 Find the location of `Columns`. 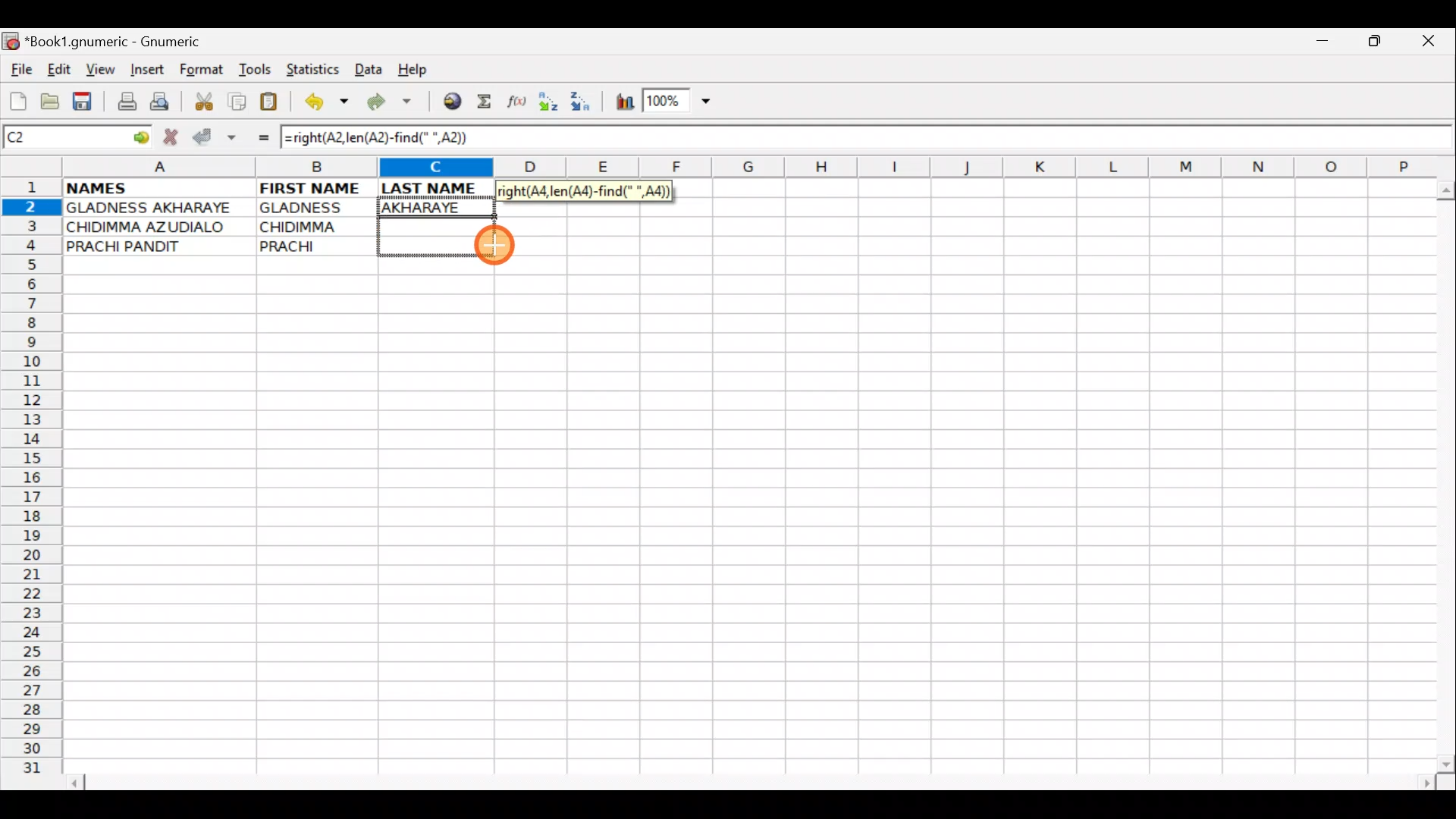

Columns is located at coordinates (741, 168).